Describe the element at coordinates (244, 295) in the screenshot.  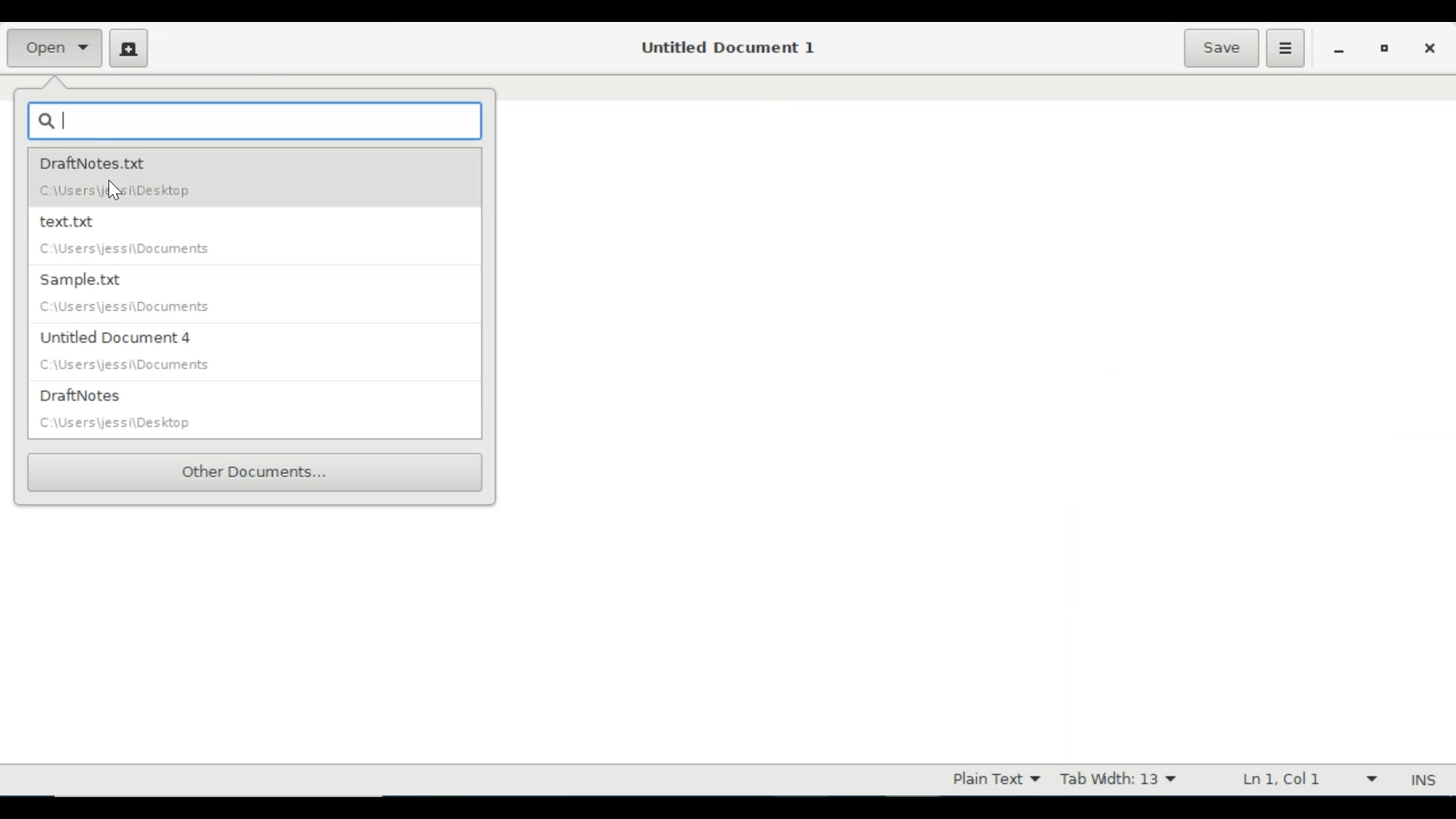
I see `sample.txt` at that location.